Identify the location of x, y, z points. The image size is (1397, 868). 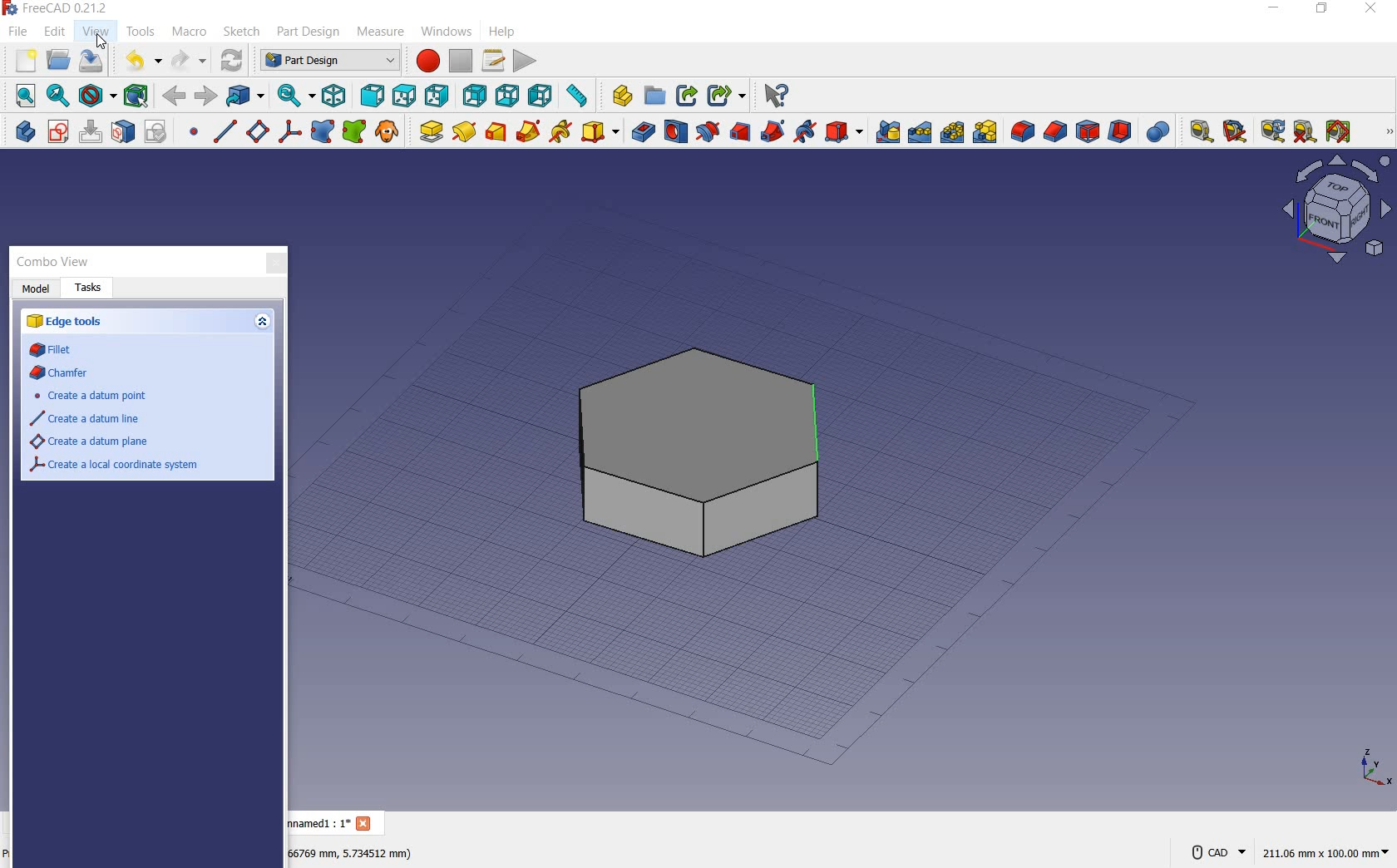
(1374, 773).